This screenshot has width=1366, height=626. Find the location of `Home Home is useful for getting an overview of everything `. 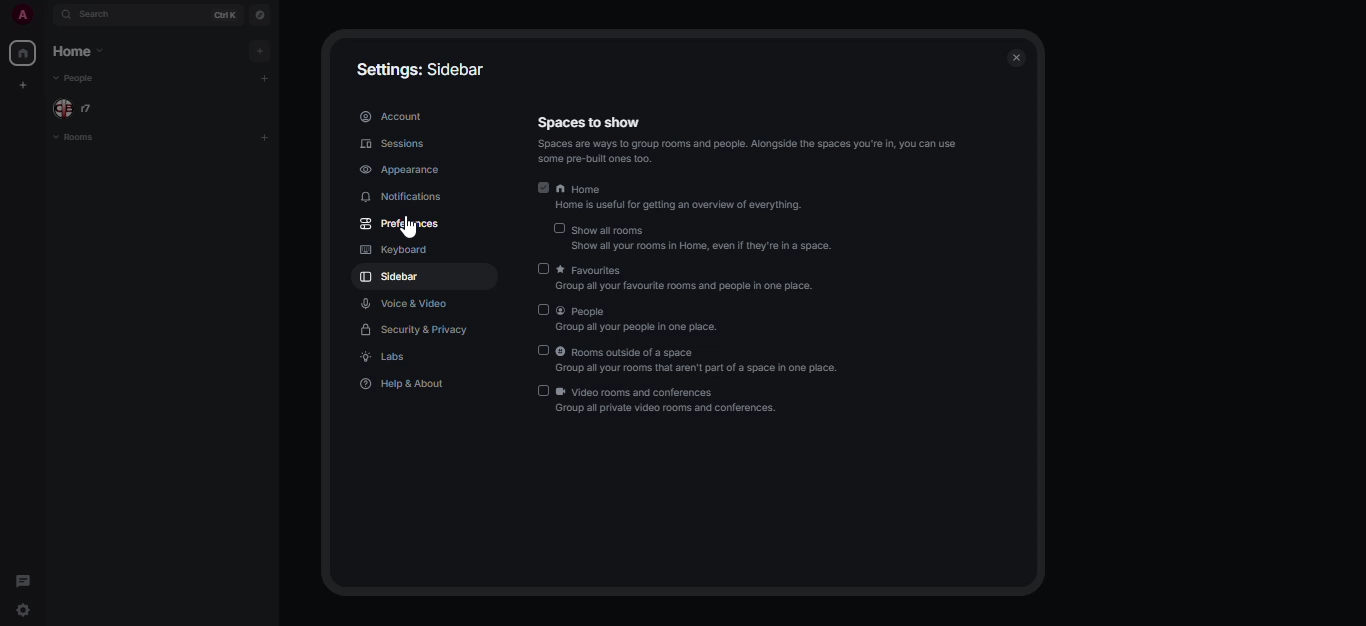

Home Home is useful for getting an overview of everything  is located at coordinates (687, 195).